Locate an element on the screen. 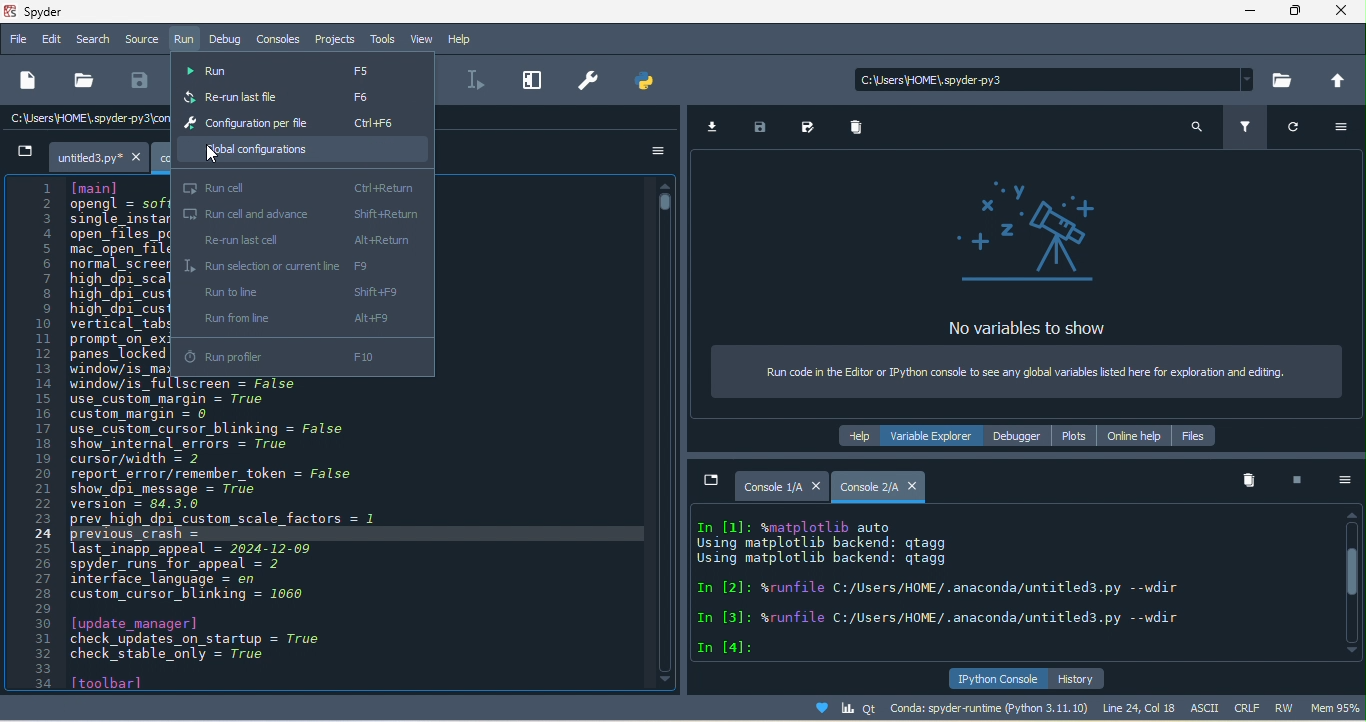 This screenshot has height=722, width=1366. vertical scroll bar is located at coordinates (1350, 581).